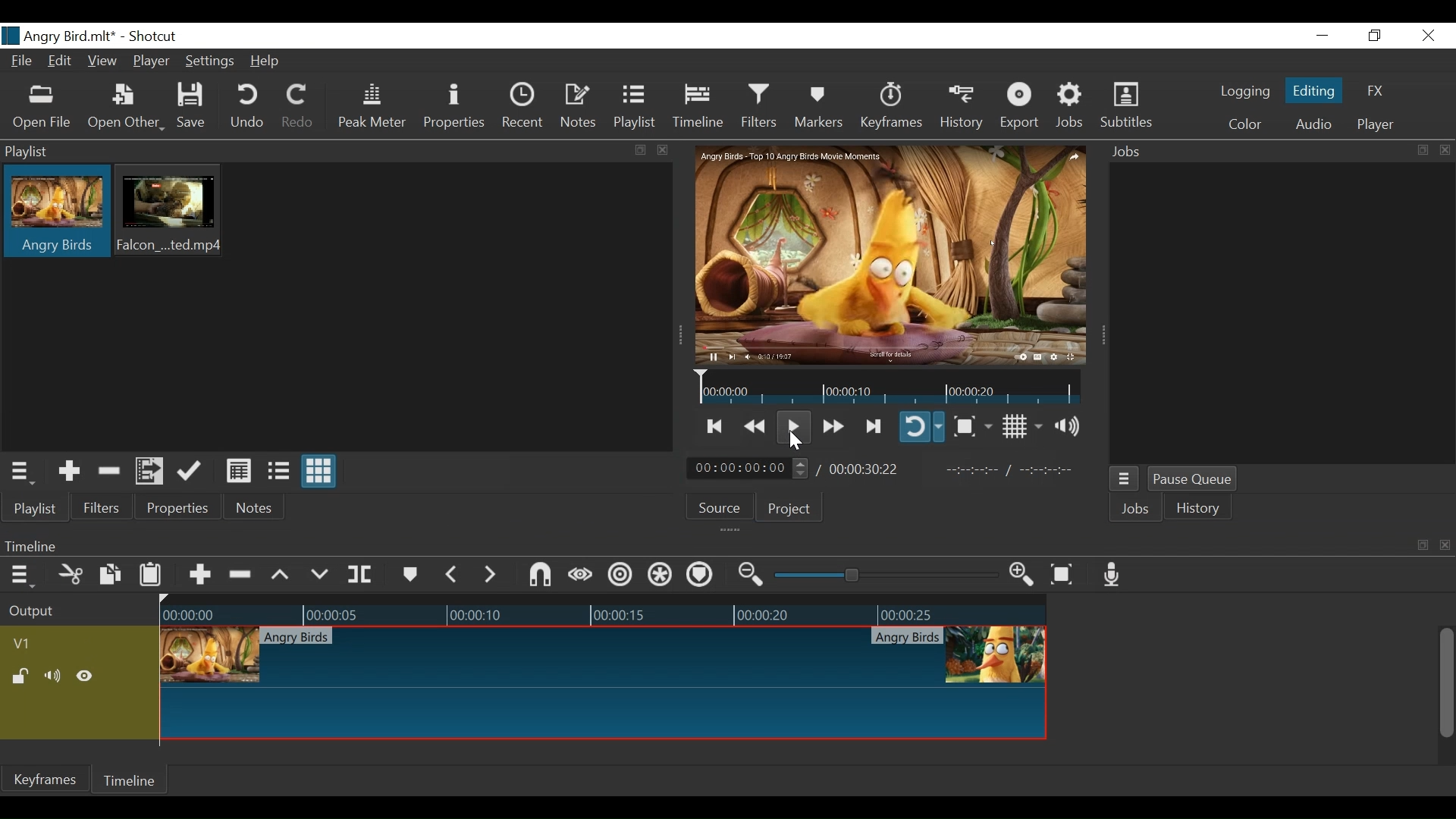 This screenshot has width=1456, height=819. What do you see at coordinates (136, 782) in the screenshot?
I see `Timeline` at bounding box center [136, 782].